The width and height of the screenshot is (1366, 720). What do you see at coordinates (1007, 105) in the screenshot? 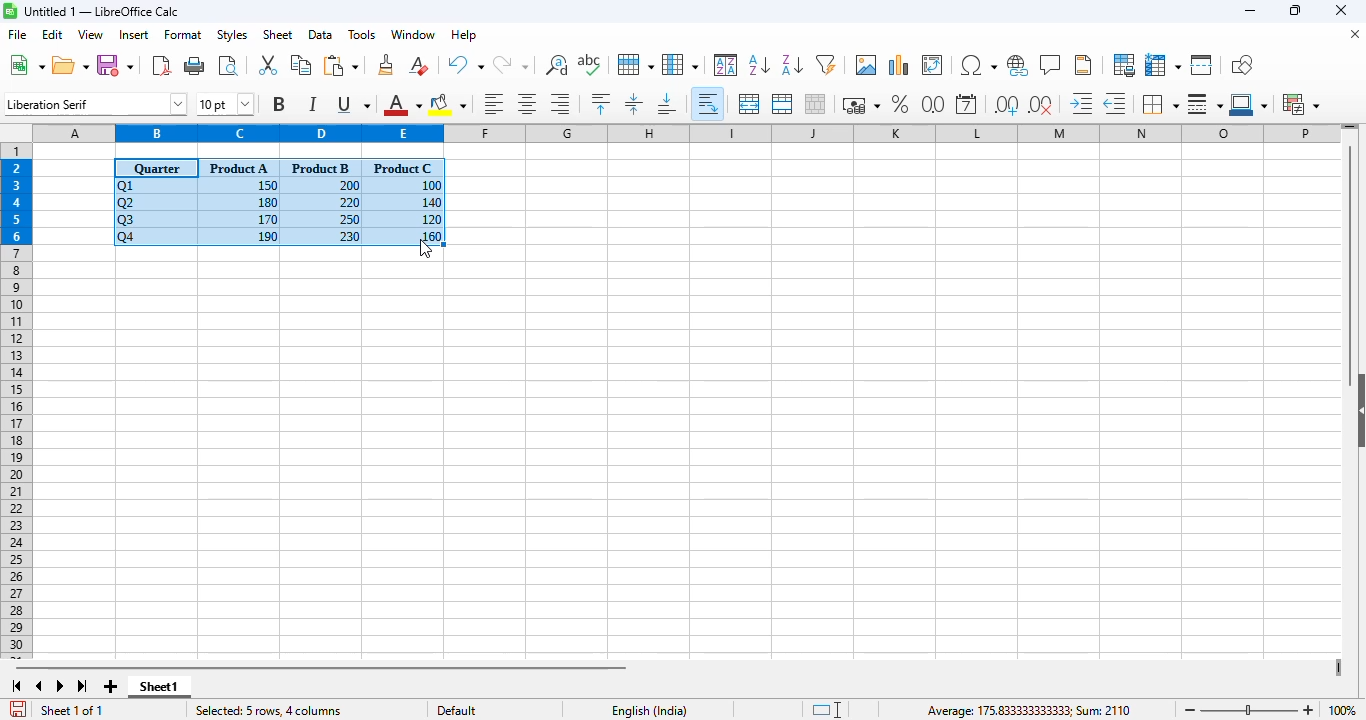
I see `add decimal` at bounding box center [1007, 105].